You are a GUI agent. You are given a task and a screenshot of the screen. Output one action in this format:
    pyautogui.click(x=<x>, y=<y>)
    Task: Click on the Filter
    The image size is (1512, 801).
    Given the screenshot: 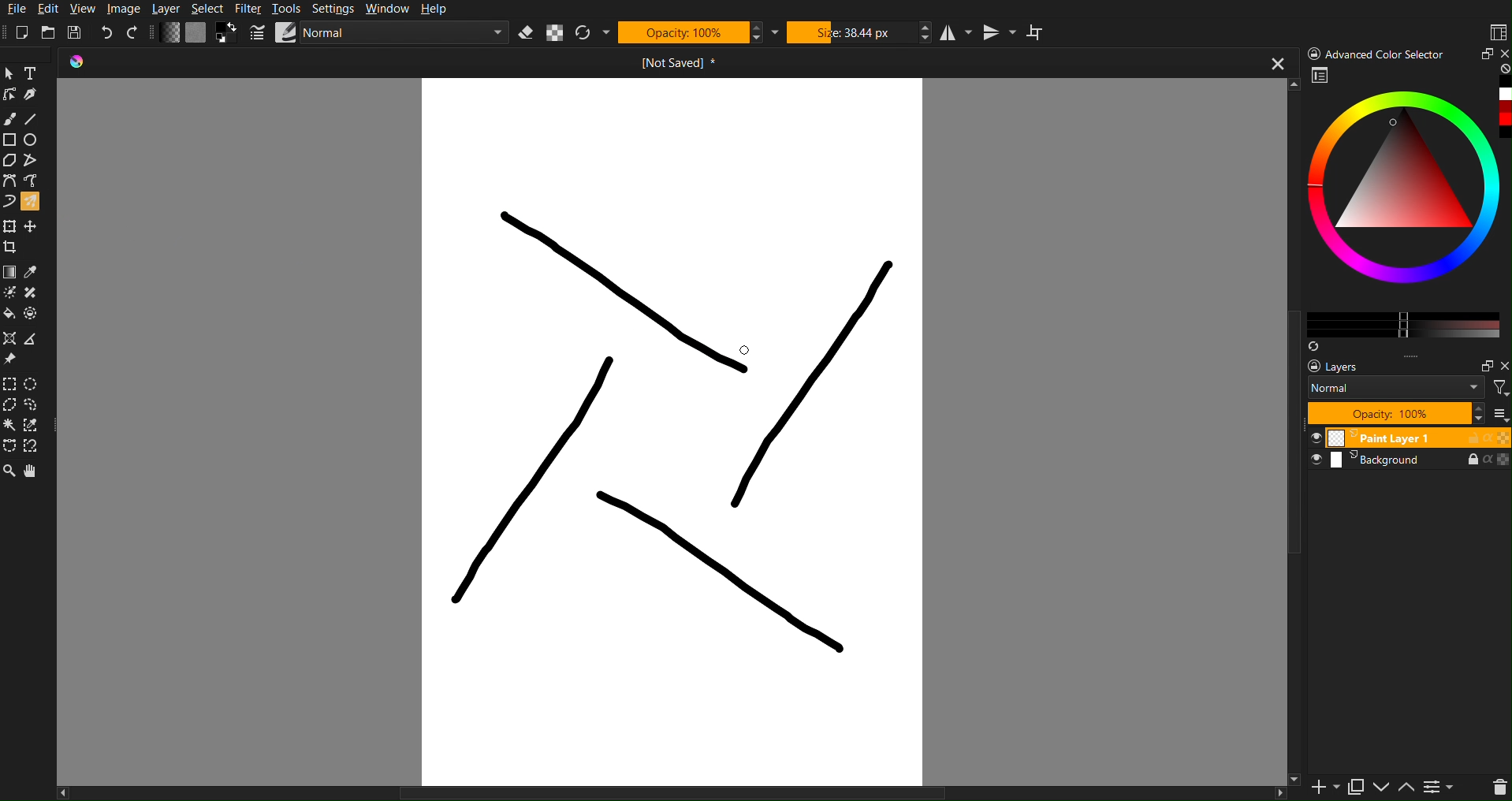 What is the action you would take?
    pyautogui.click(x=252, y=9)
    